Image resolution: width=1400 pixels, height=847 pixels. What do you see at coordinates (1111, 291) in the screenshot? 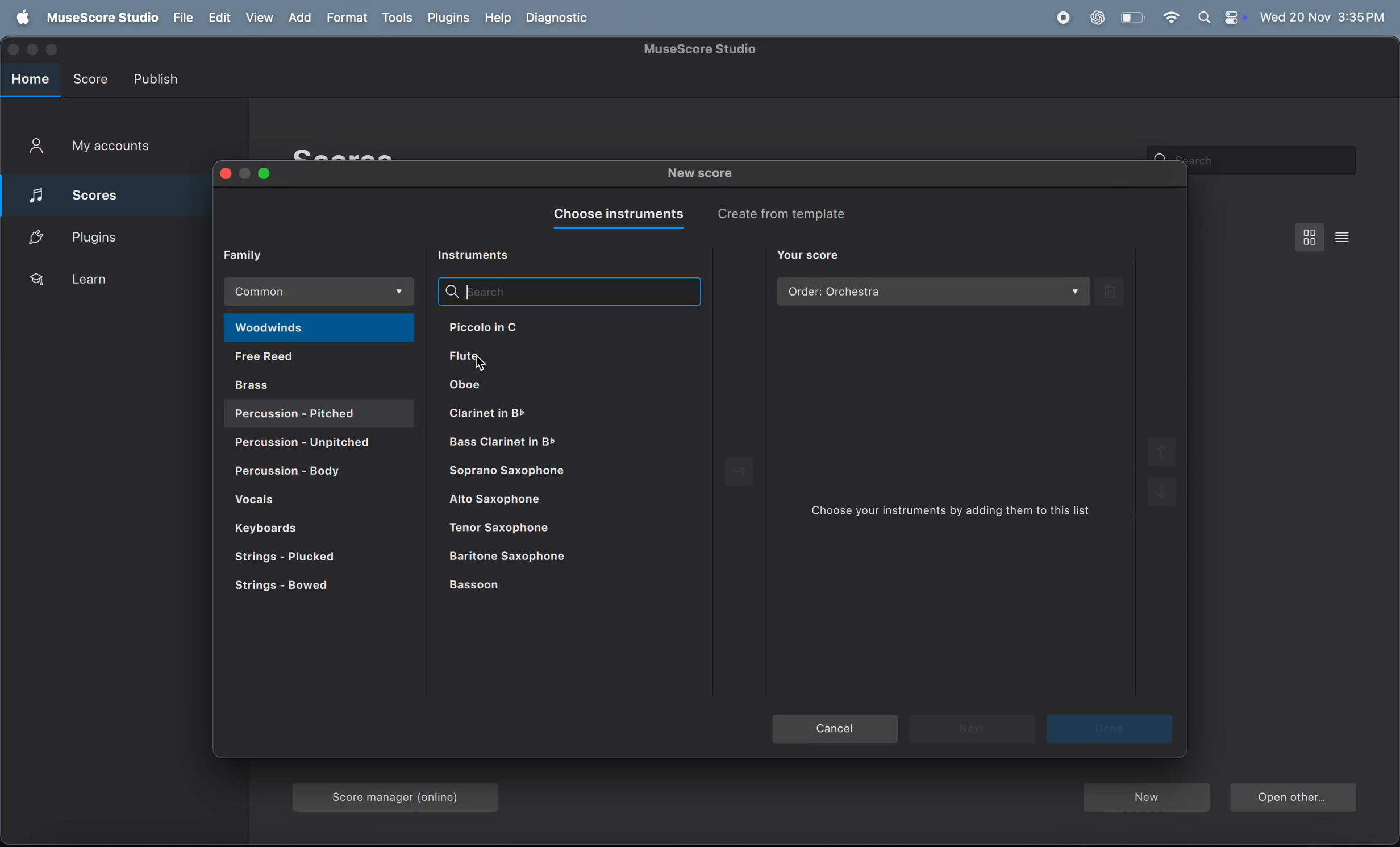
I see `delete` at bounding box center [1111, 291].